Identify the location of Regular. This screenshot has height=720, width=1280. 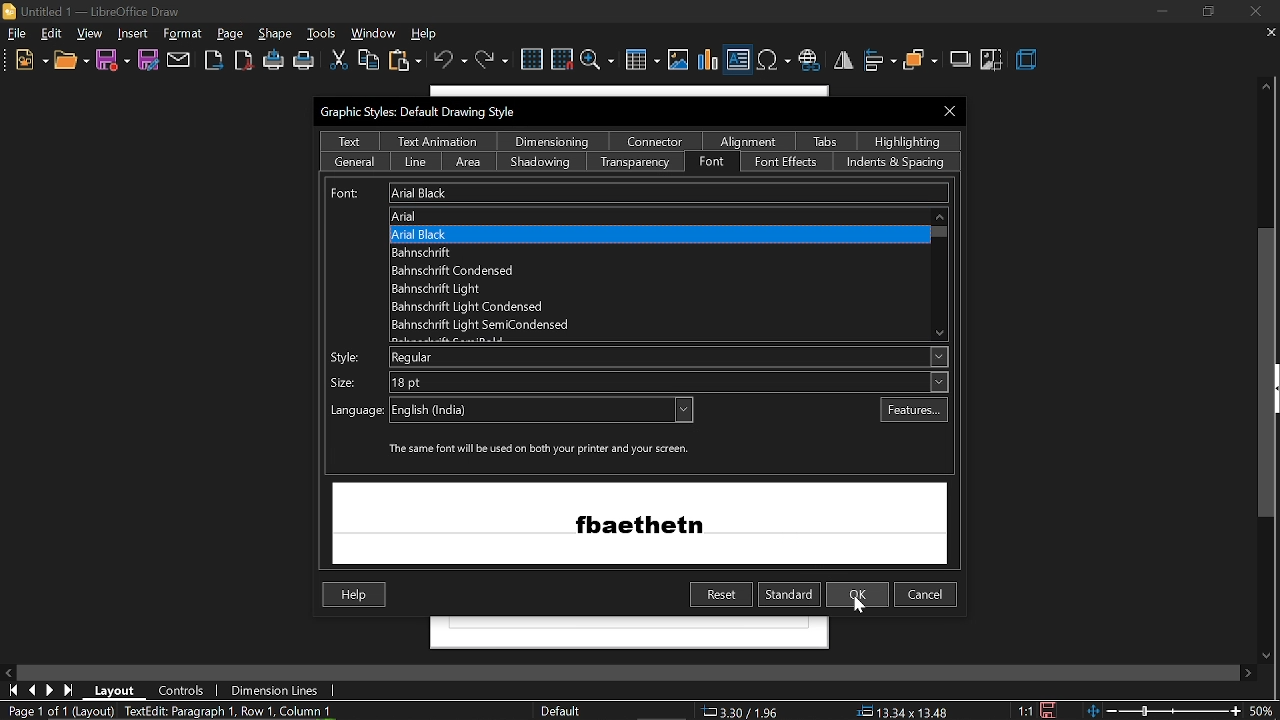
(665, 358).